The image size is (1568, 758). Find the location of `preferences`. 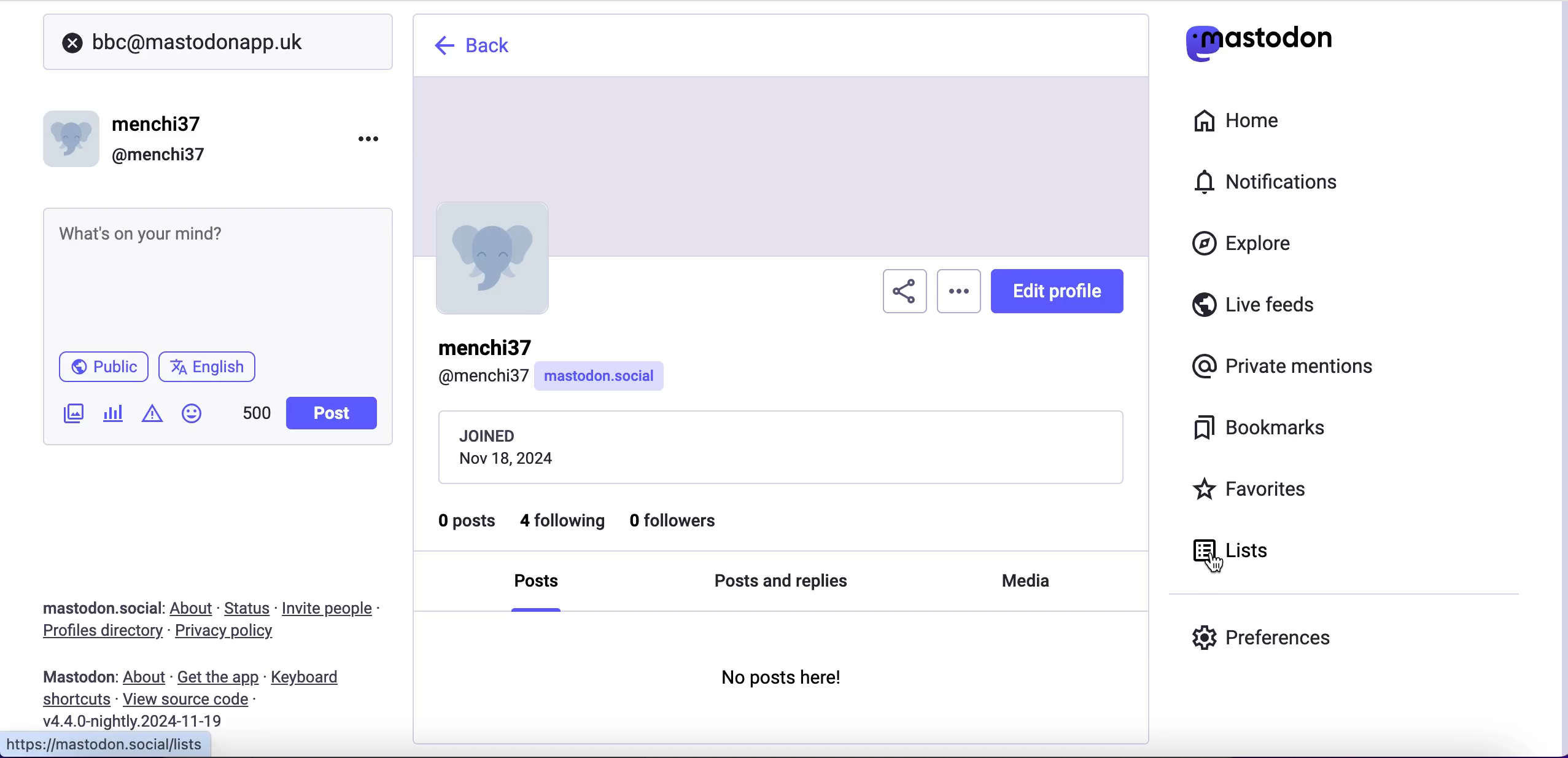

preferences is located at coordinates (1273, 635).